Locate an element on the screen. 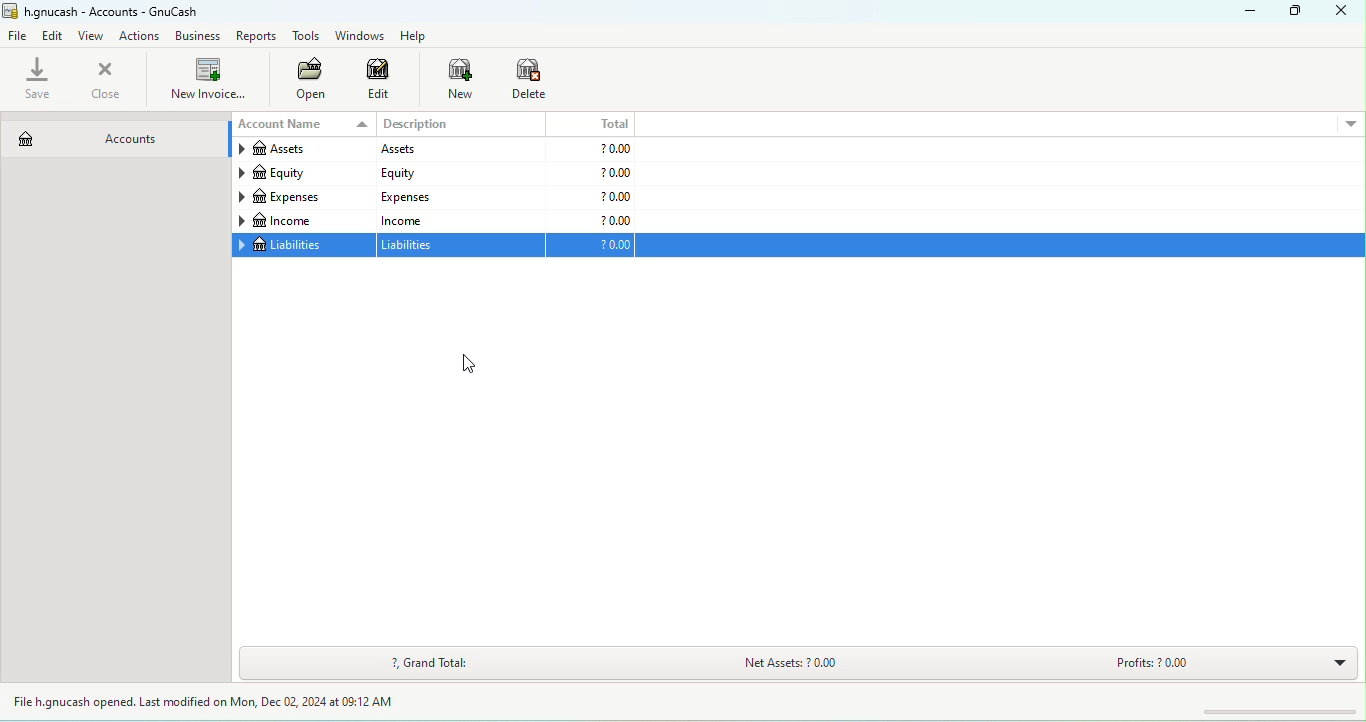  ?0.00 is located at coordinates (590, 148).